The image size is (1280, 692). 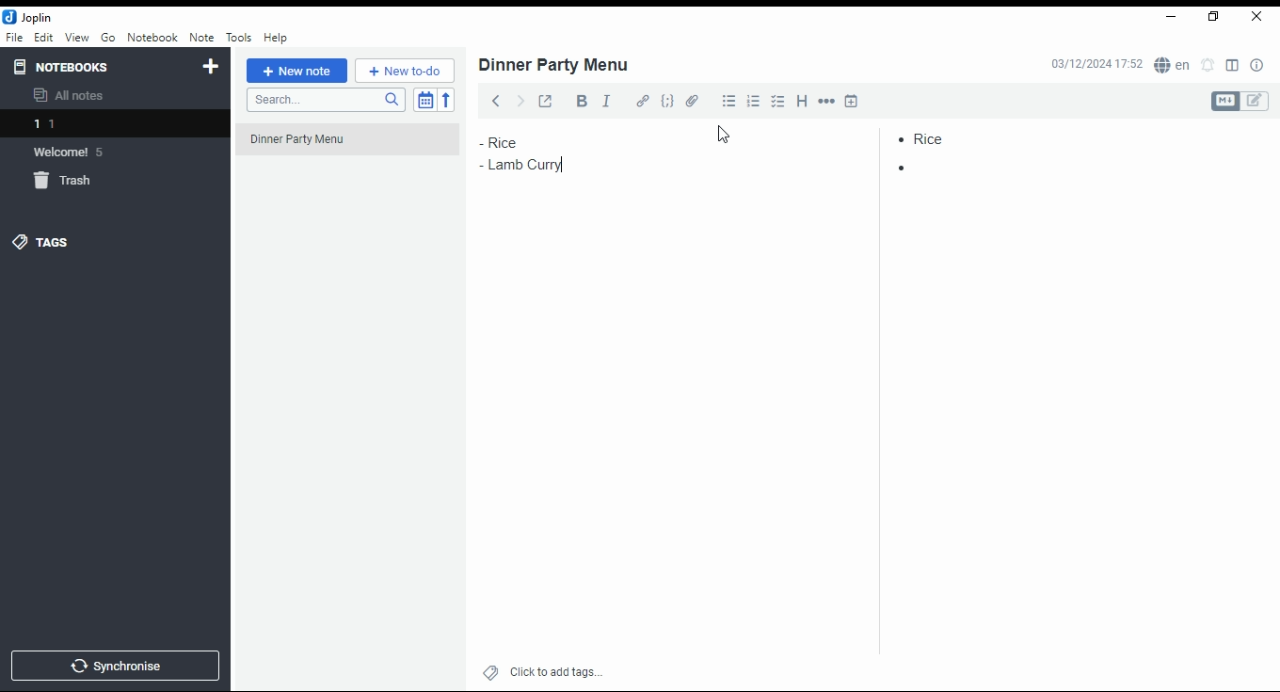 I want to click on italics, so click(x=607, y=100).